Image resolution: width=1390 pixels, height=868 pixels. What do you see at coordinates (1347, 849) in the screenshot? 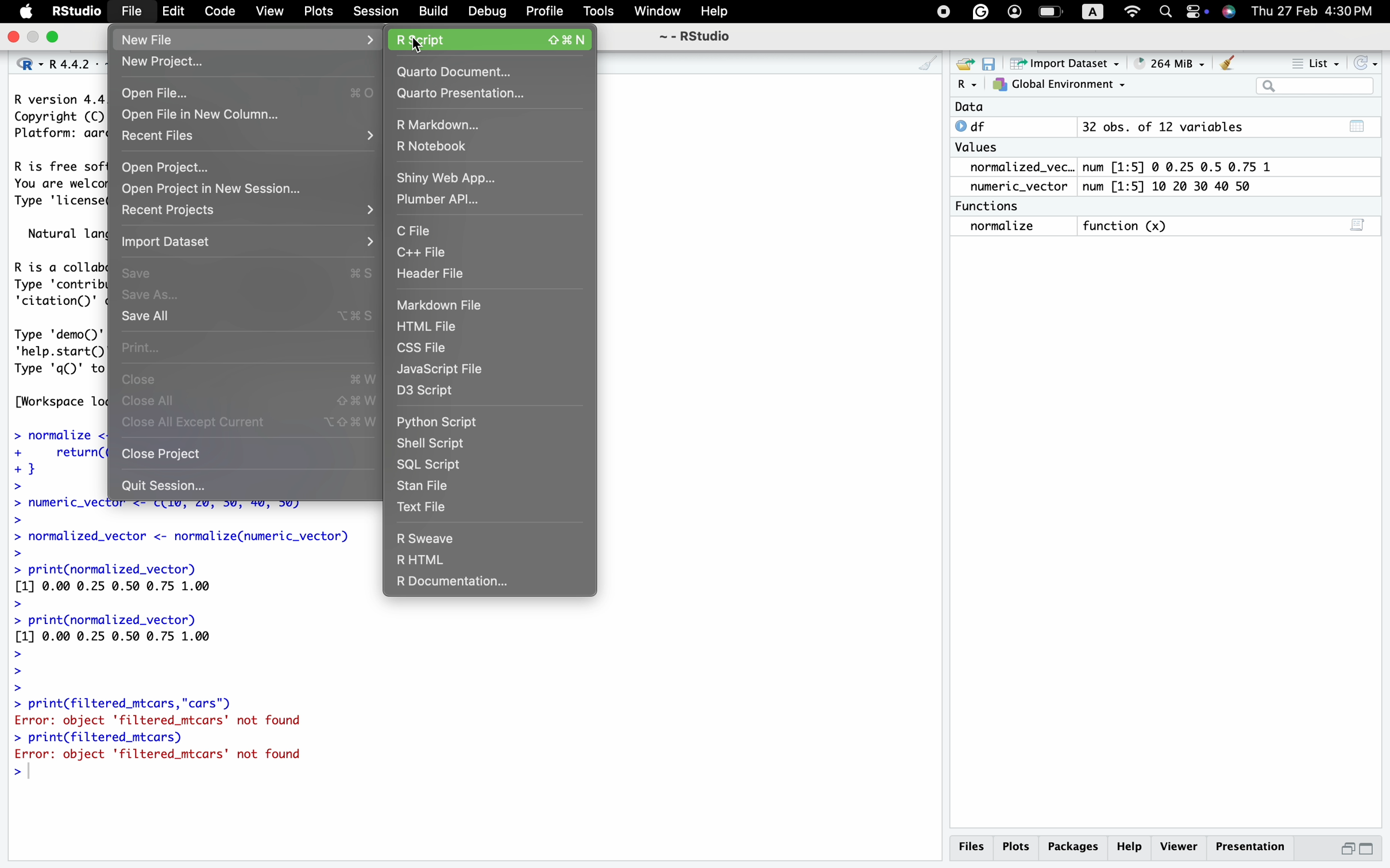
I see `minimize` at bounding box center [1347, 849].